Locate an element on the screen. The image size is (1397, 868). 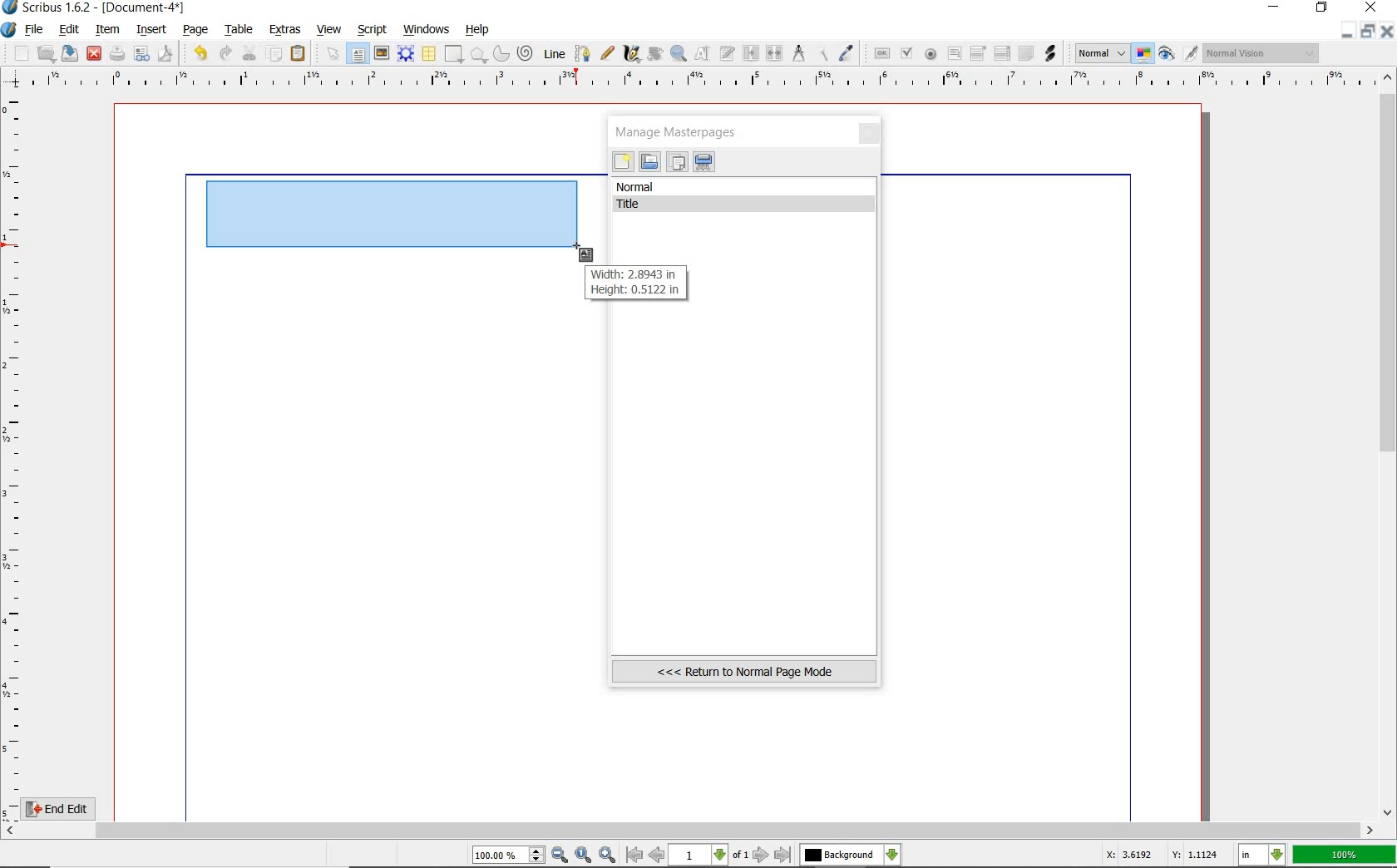
close is located at coordinates (94, 52).